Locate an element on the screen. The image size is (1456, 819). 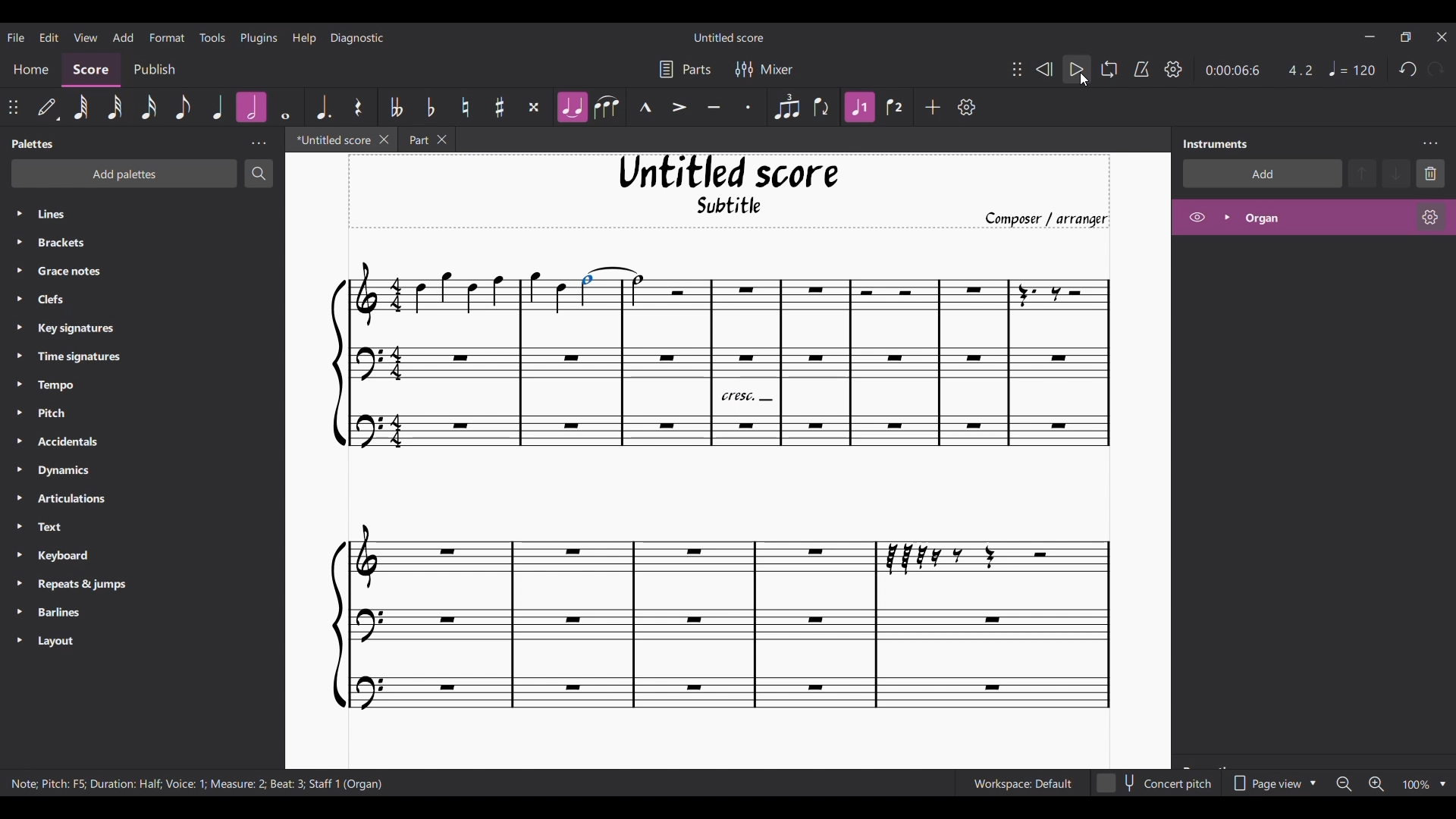
Whole note is located at coordinates (286, 108).